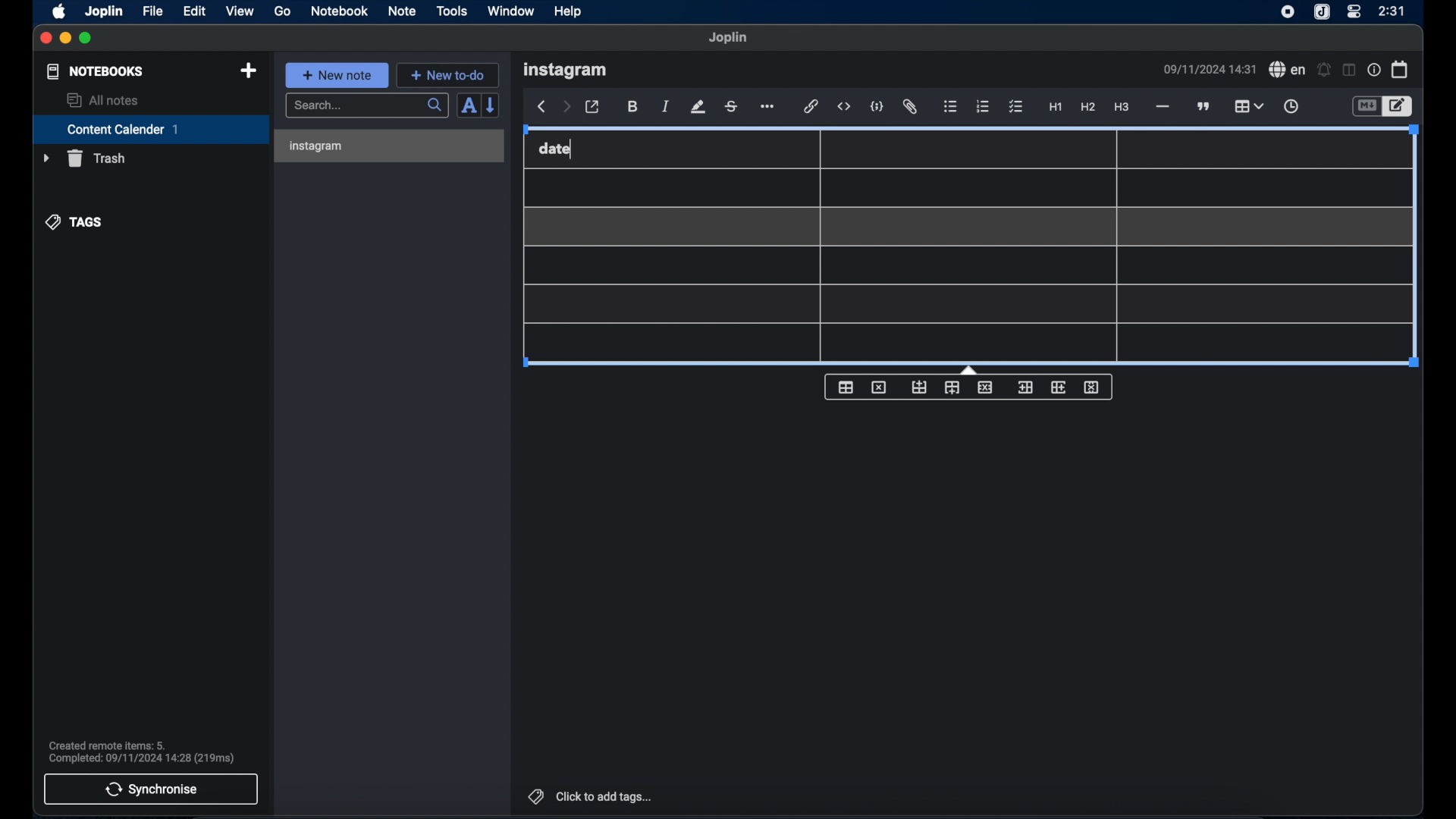 The image size is (1456, 819). Describe the element at coordinates (1401, 105) in the screenshot. I see `toggle editor` at that location.